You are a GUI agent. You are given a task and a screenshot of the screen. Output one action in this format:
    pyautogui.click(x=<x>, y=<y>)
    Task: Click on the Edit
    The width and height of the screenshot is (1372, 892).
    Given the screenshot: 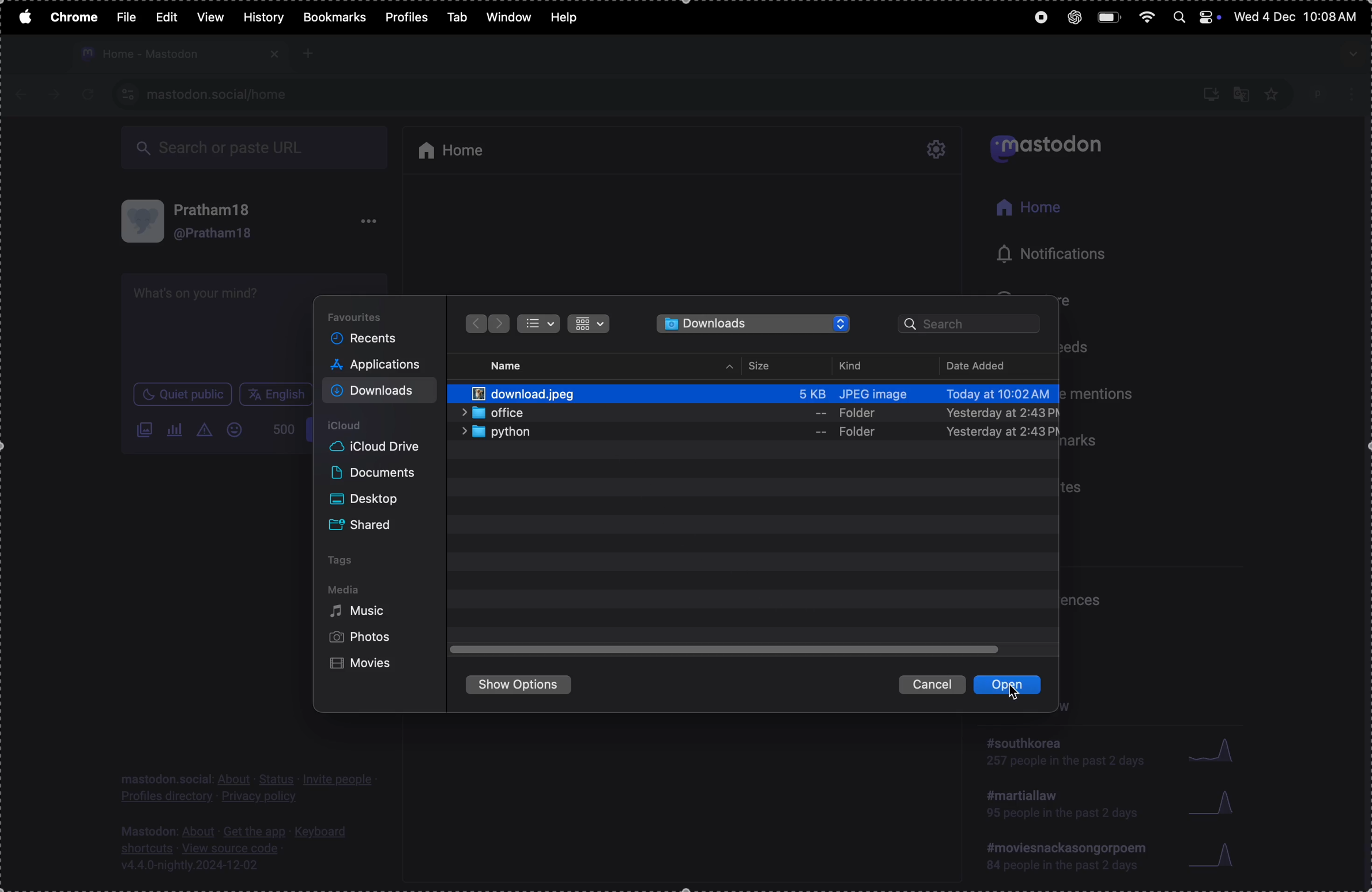 What is the action you would take?
    pyautogui.click(x=169, y=16)
    